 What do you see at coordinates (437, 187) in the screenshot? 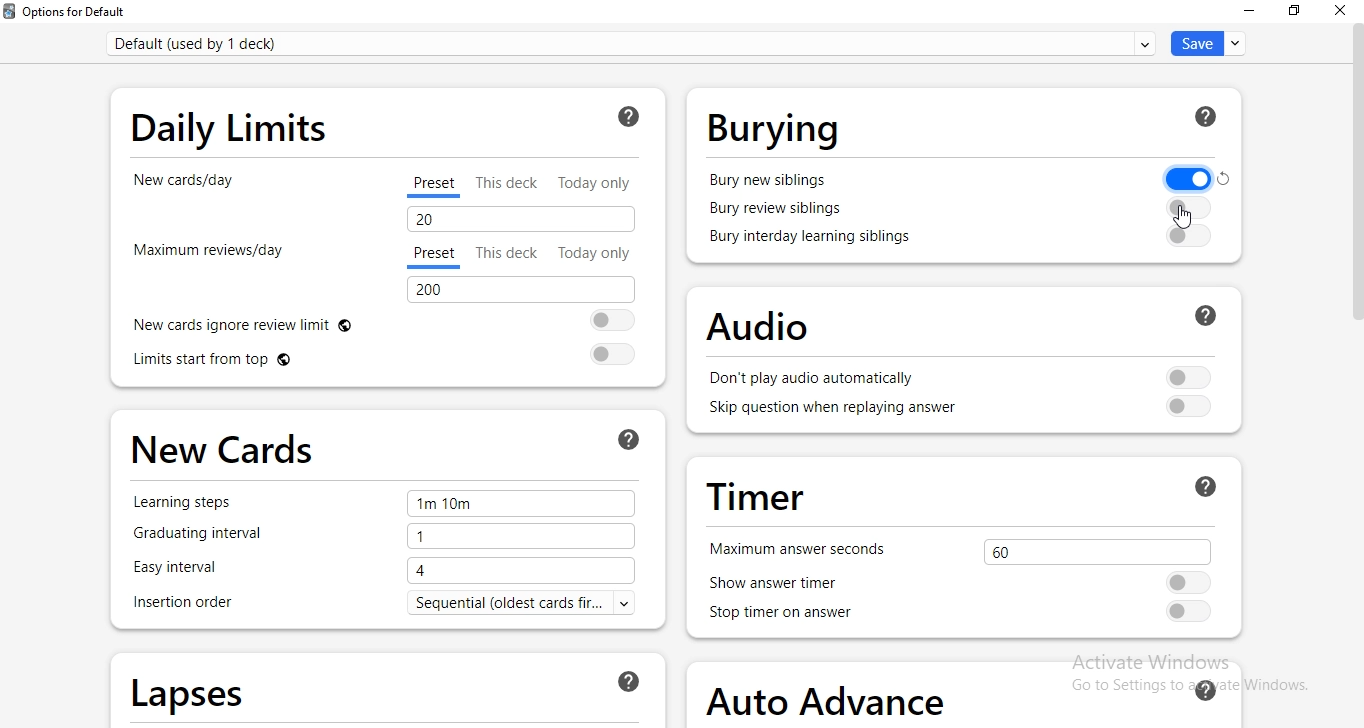
I see `preset` at bounding box center [437, 187].